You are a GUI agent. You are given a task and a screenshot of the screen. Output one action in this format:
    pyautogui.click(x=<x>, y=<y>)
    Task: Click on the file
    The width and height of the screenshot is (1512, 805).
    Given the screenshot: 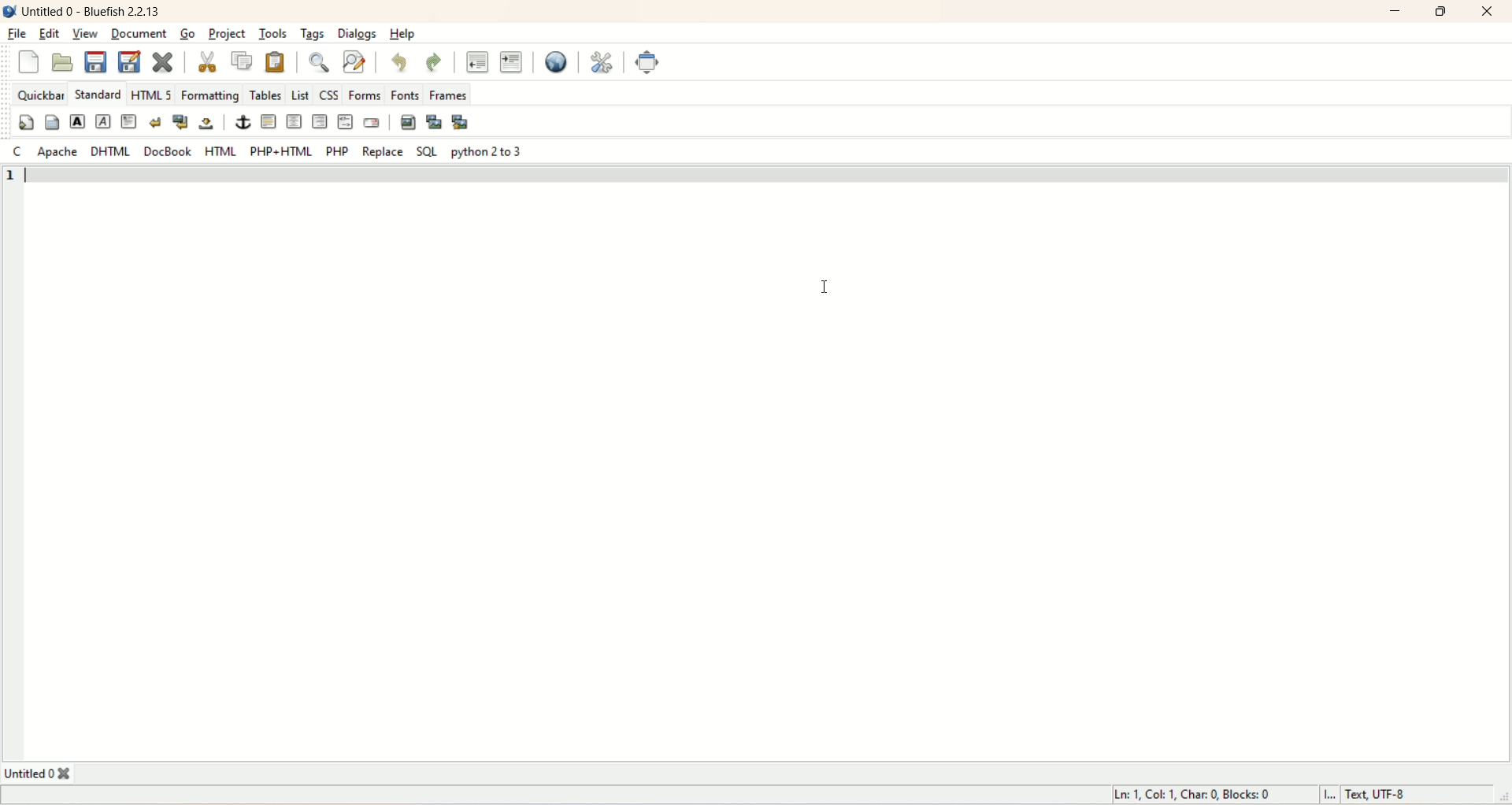 What is the action you would take?
    pyautogui.click(x=17, y=33)
    